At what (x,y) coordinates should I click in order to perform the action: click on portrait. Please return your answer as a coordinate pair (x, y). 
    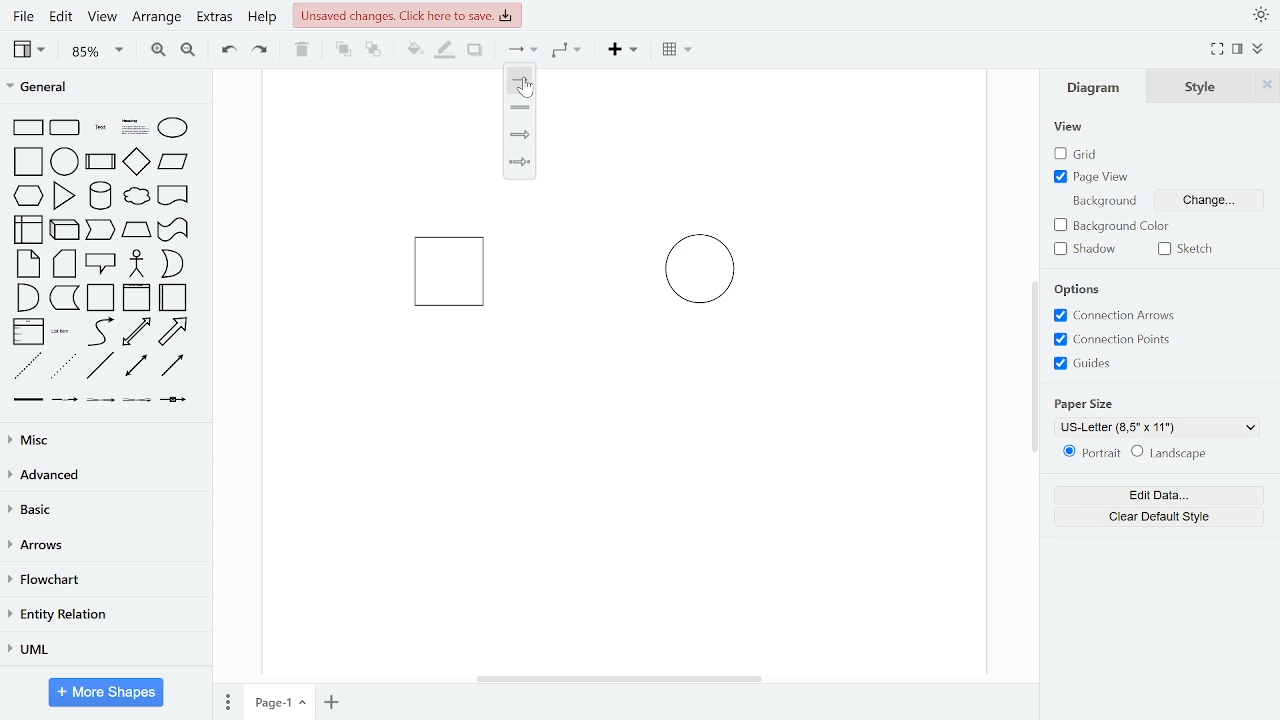
    Looking at the image, I should click on (1092, 453).